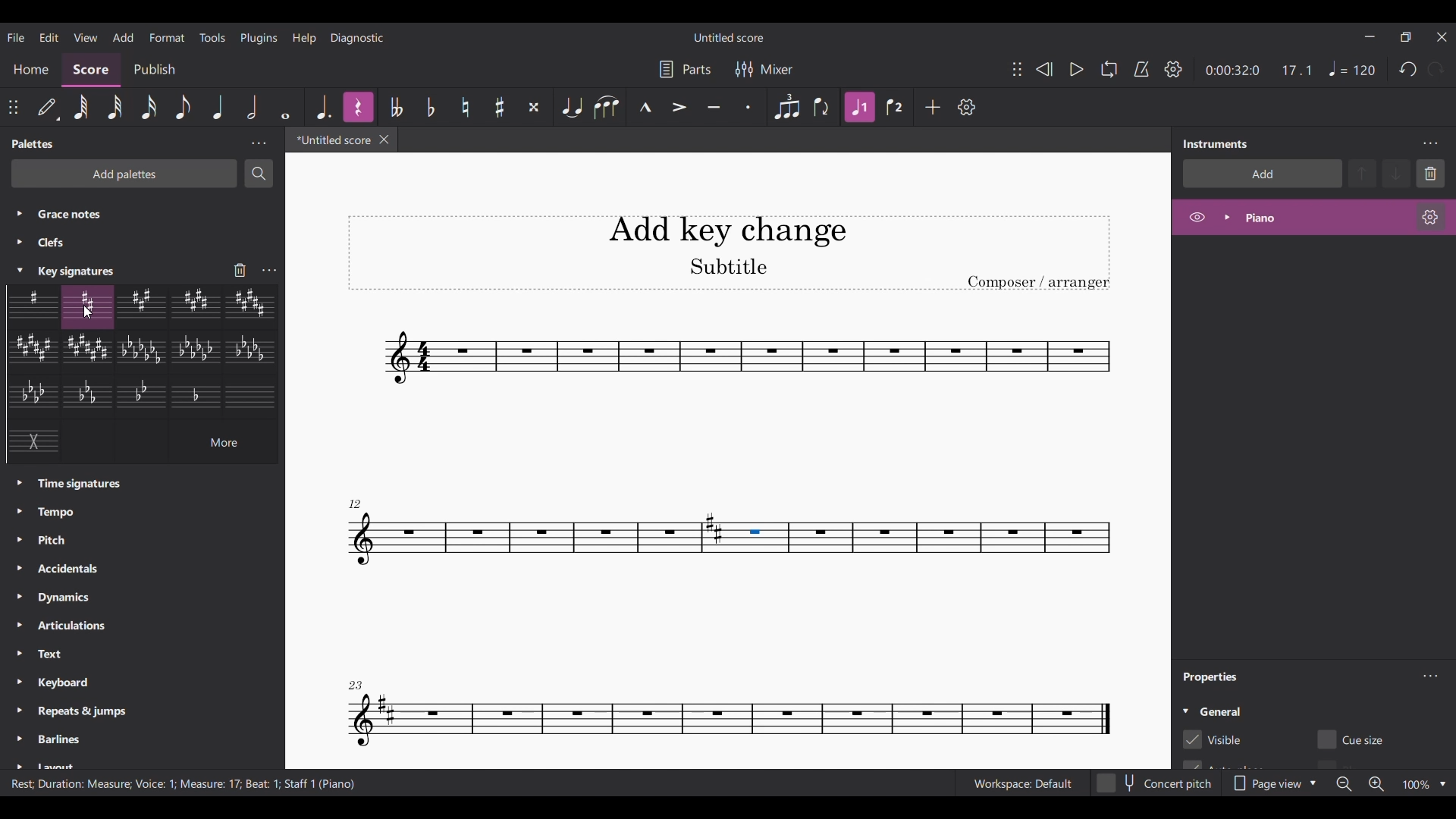 The height and width of the screenshot is (819, 1456). I want to click on Search palette, so click(259, 173).